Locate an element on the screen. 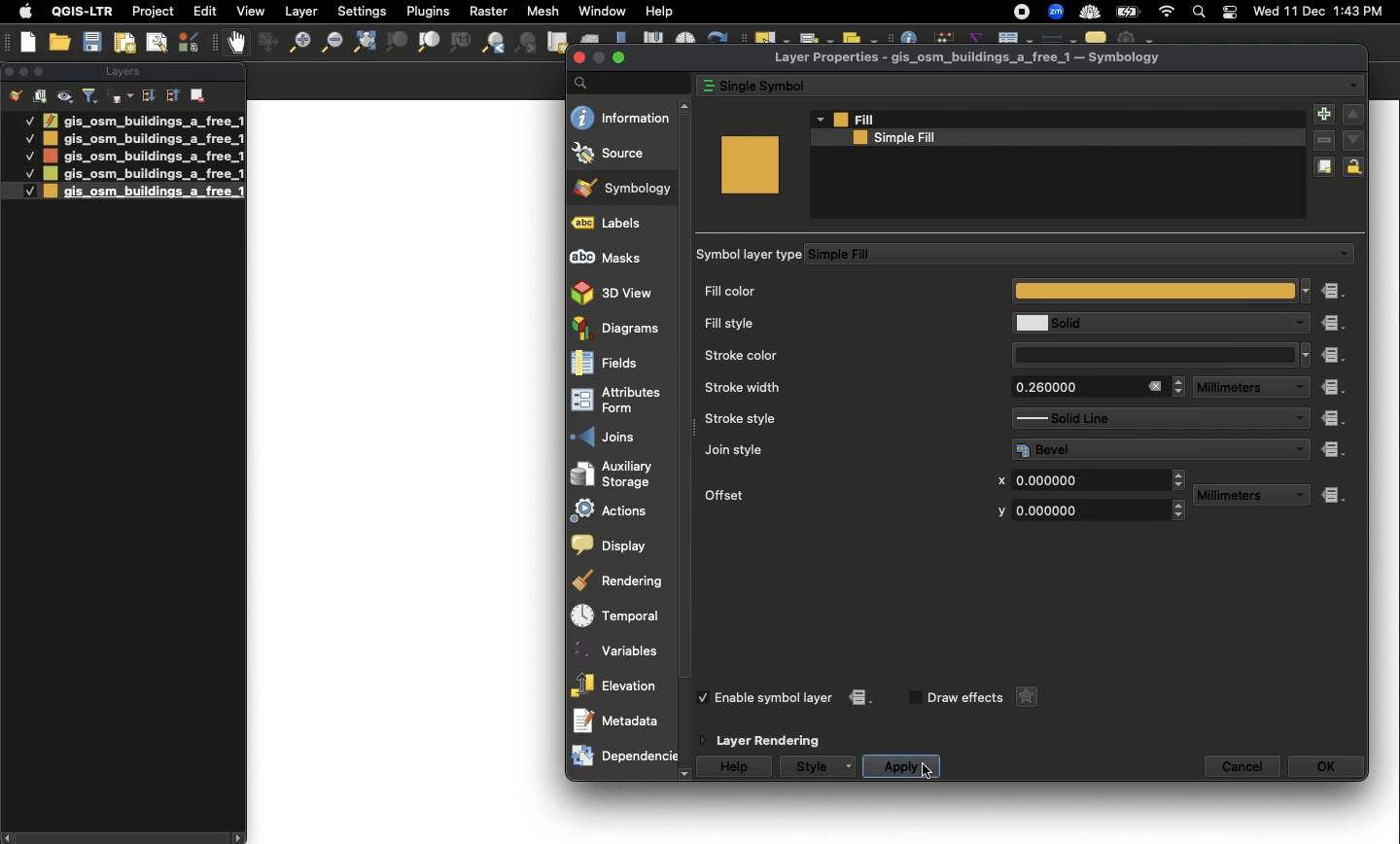 This screenshot has width=1400, height=844.  is located at coordinates (1333, 448).